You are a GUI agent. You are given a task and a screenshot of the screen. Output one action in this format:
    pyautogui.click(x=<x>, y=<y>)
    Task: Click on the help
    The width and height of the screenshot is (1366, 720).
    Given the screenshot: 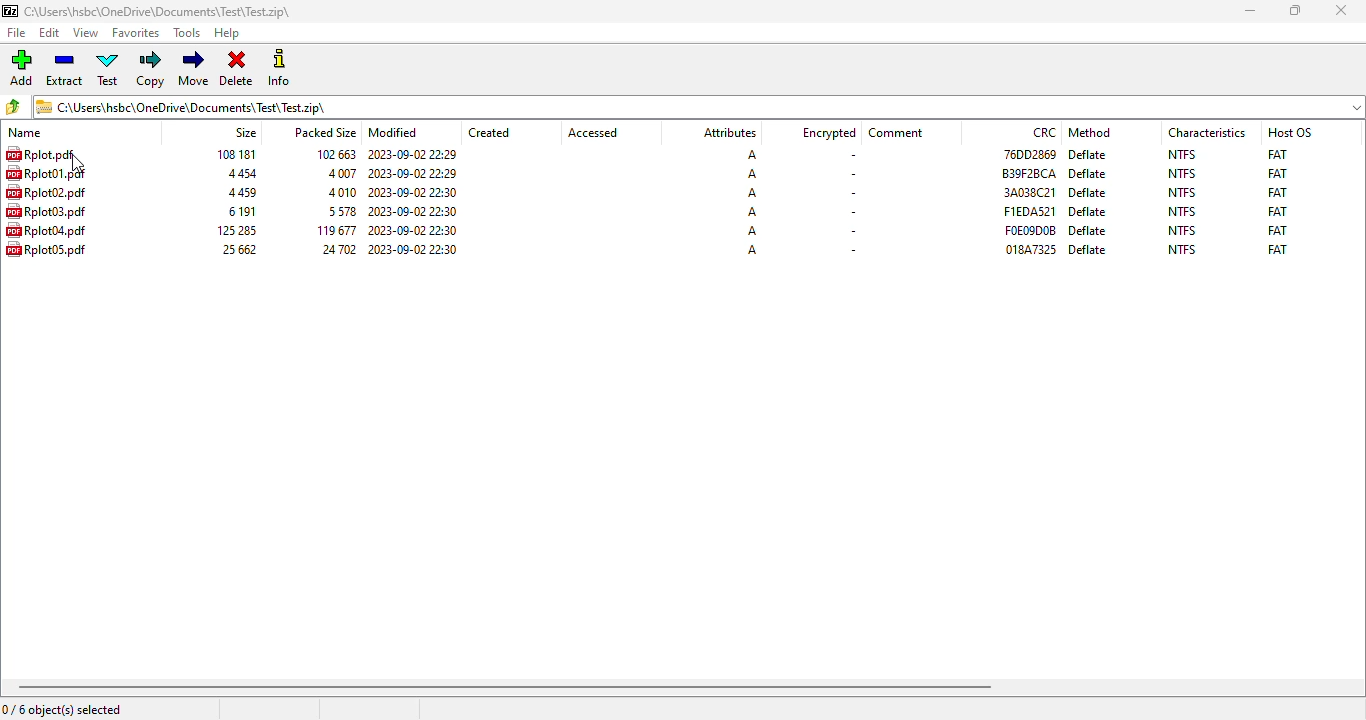 What is the action you would take?
    pyautogui.click(x=227, y=34)
    